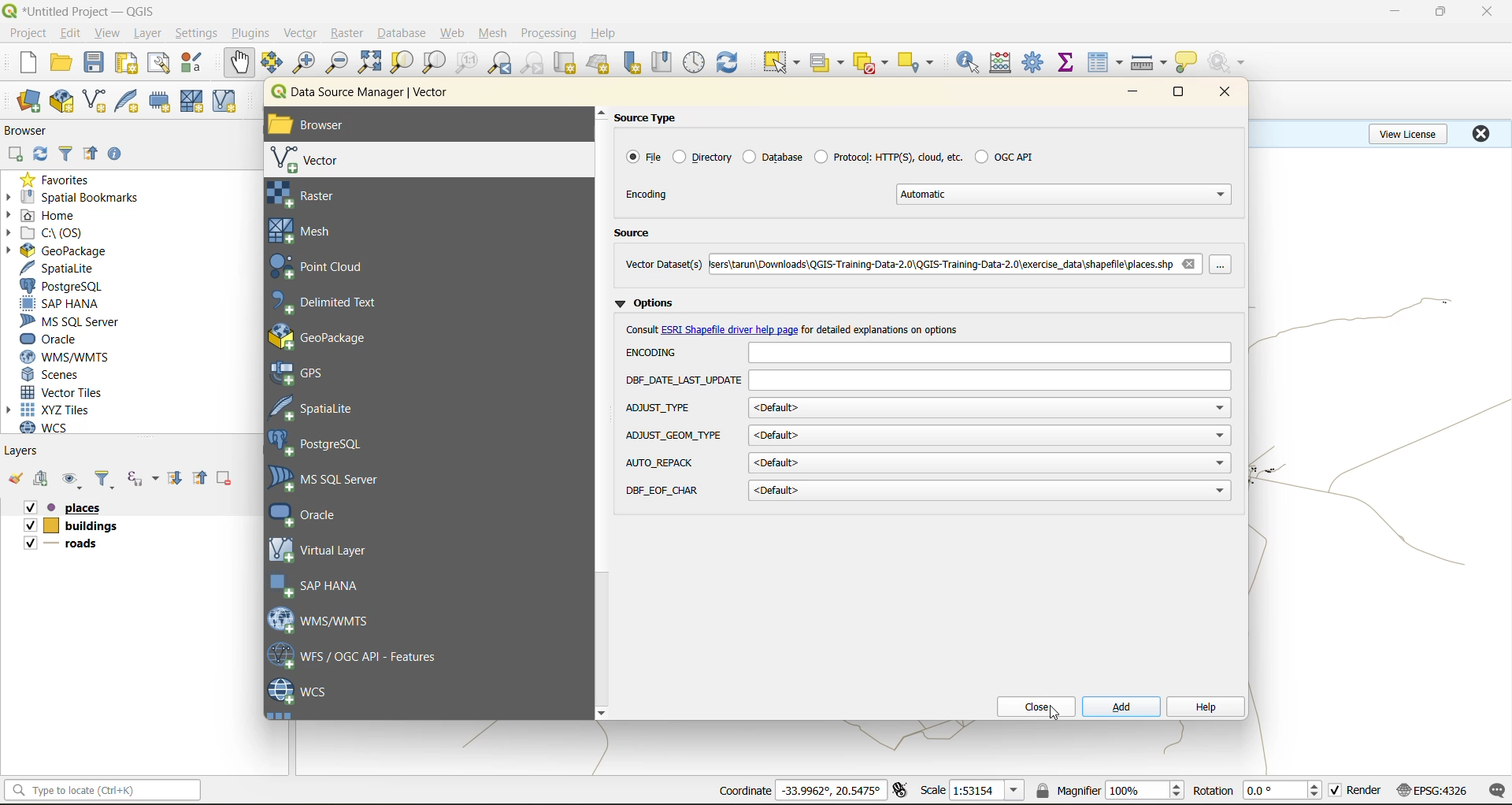  Describe the element at coordinates (674, 436) in the screenshot. I see `adjust gedm type` at that location.